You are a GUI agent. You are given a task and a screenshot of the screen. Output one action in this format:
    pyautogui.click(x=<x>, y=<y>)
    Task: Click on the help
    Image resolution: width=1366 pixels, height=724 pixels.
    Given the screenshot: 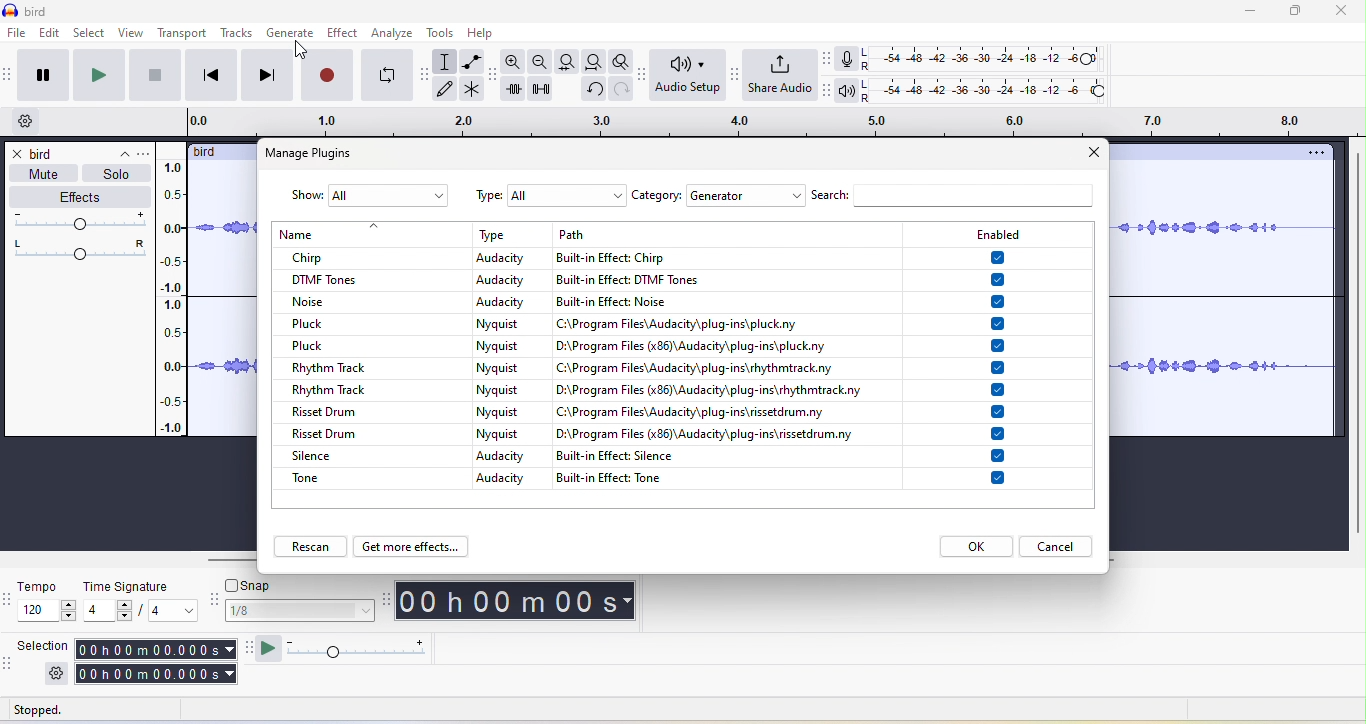 What is the action you would take?
    pyautogui.click(x=491, y=35)
    